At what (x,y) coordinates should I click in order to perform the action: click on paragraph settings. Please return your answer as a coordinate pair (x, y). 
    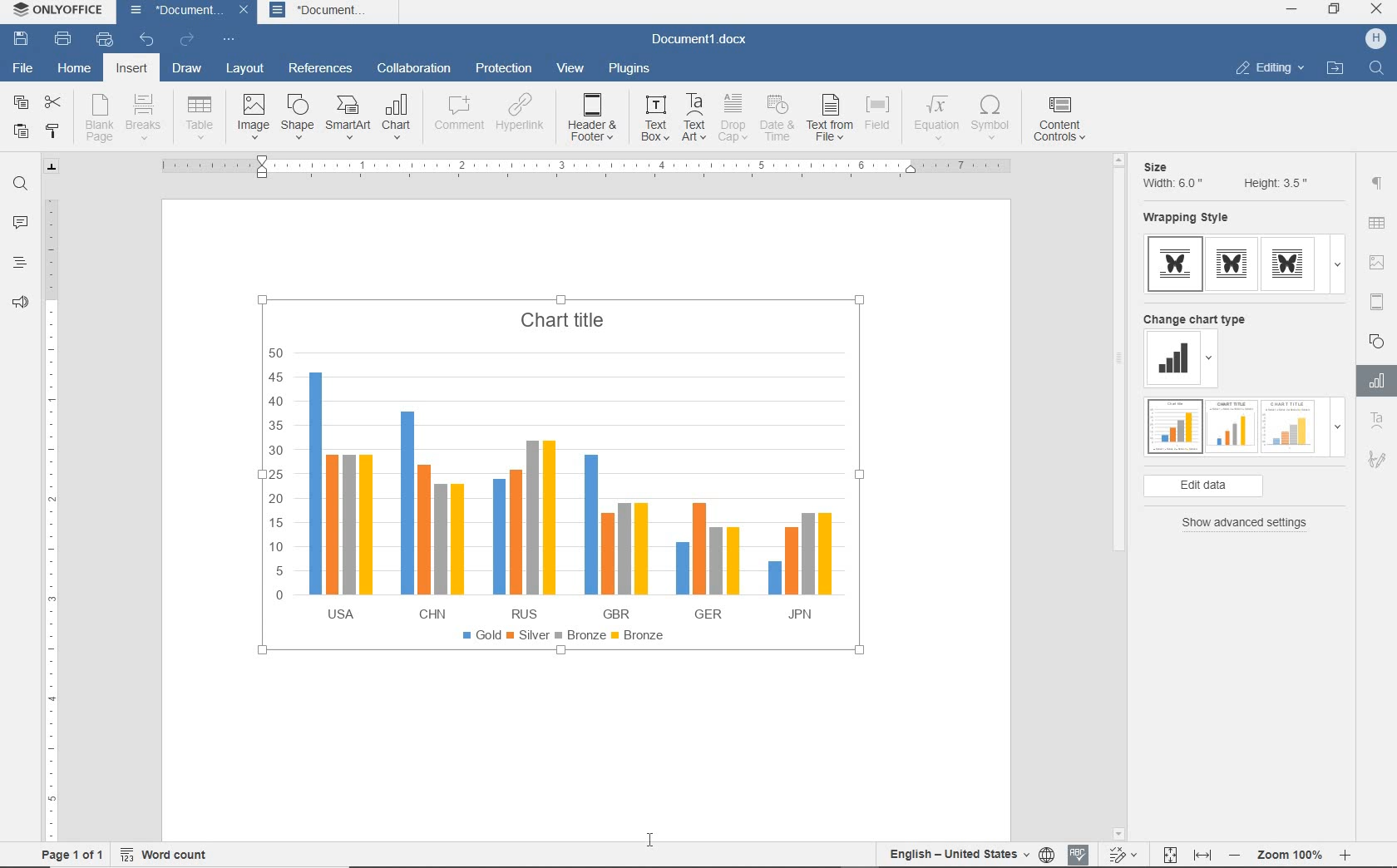
    Looking at the image, I should click on (1377, 183).